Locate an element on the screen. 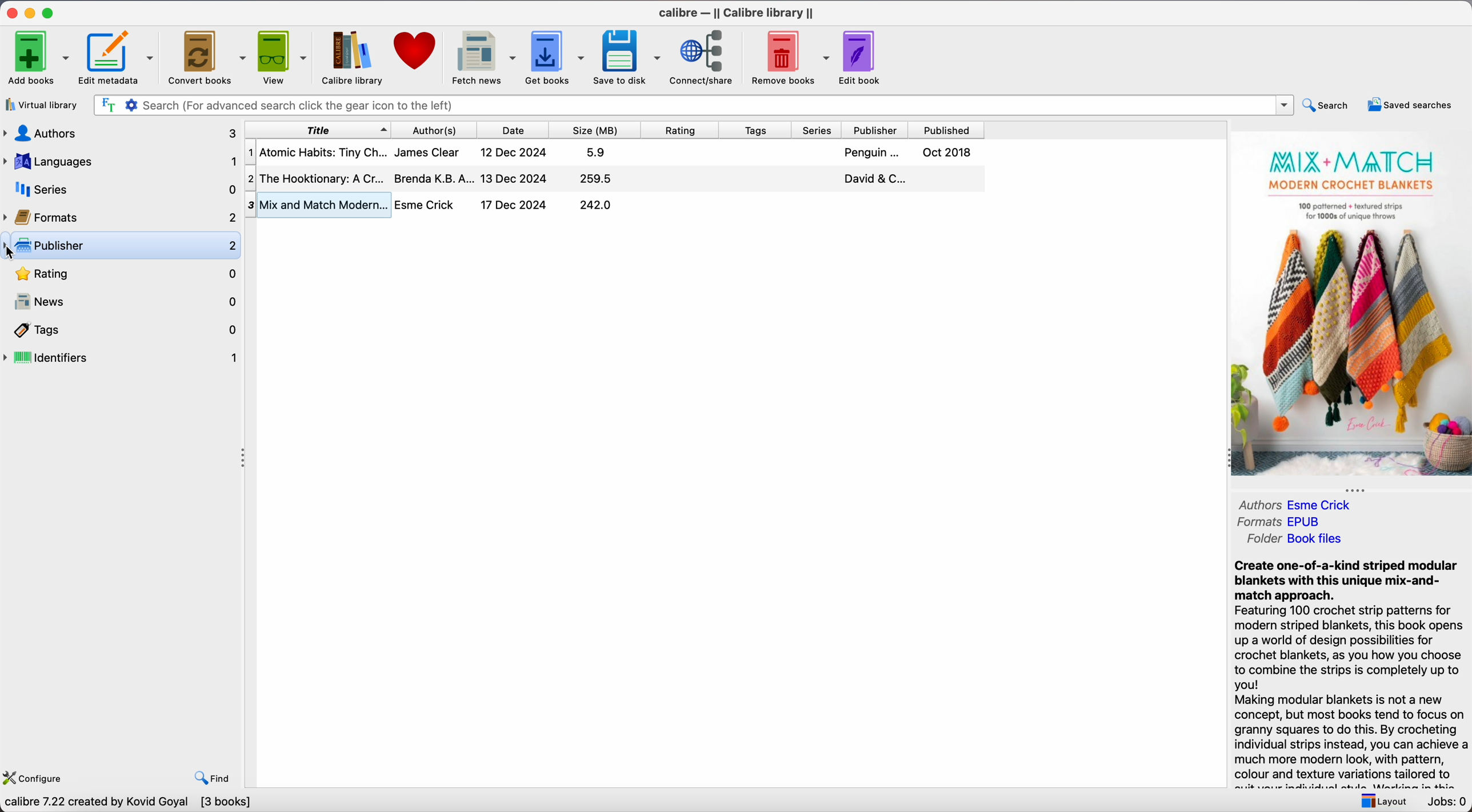  maximize is located at coordinates (50, 12).